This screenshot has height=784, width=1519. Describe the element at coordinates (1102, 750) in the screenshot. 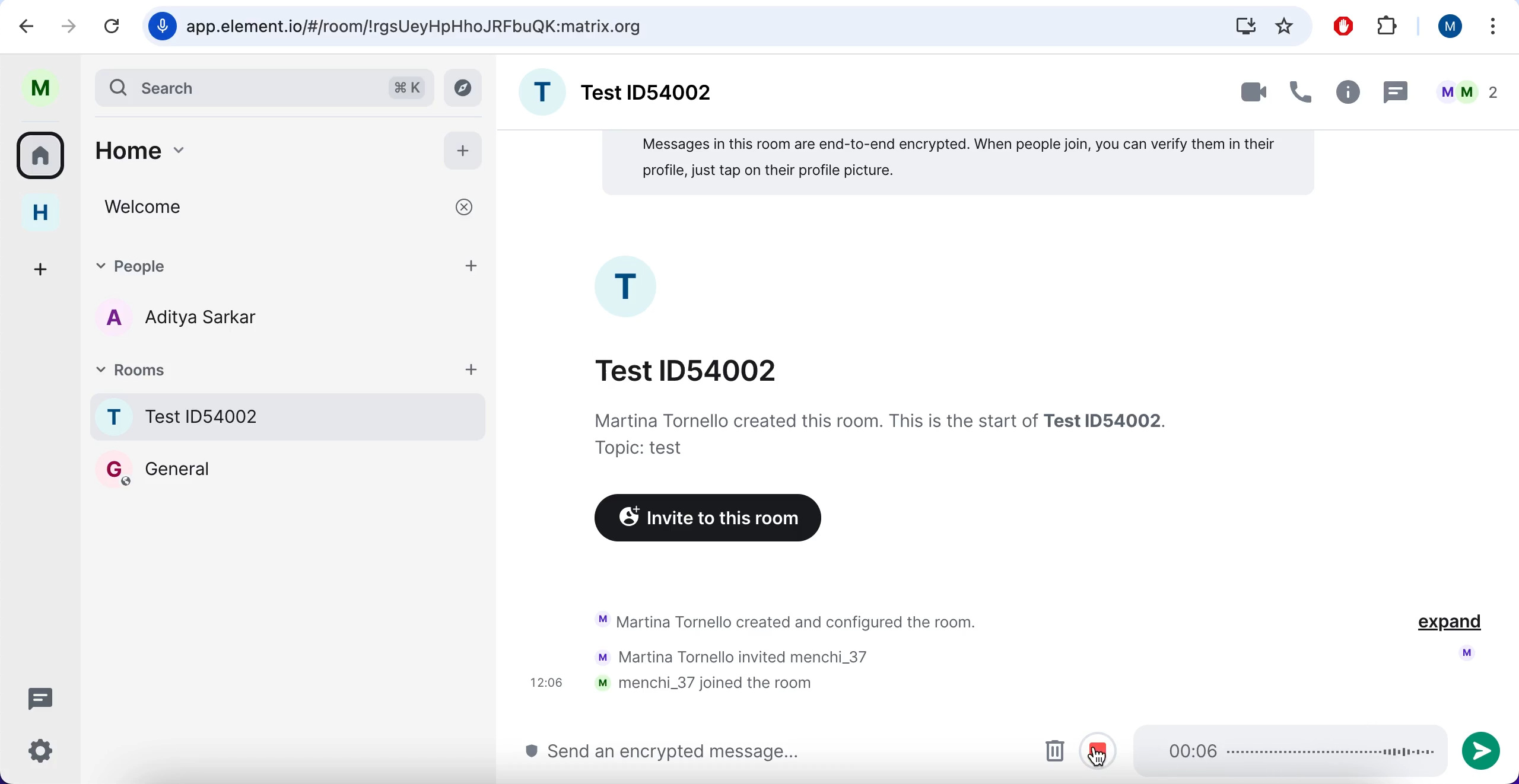

I see `stopped` at that location.